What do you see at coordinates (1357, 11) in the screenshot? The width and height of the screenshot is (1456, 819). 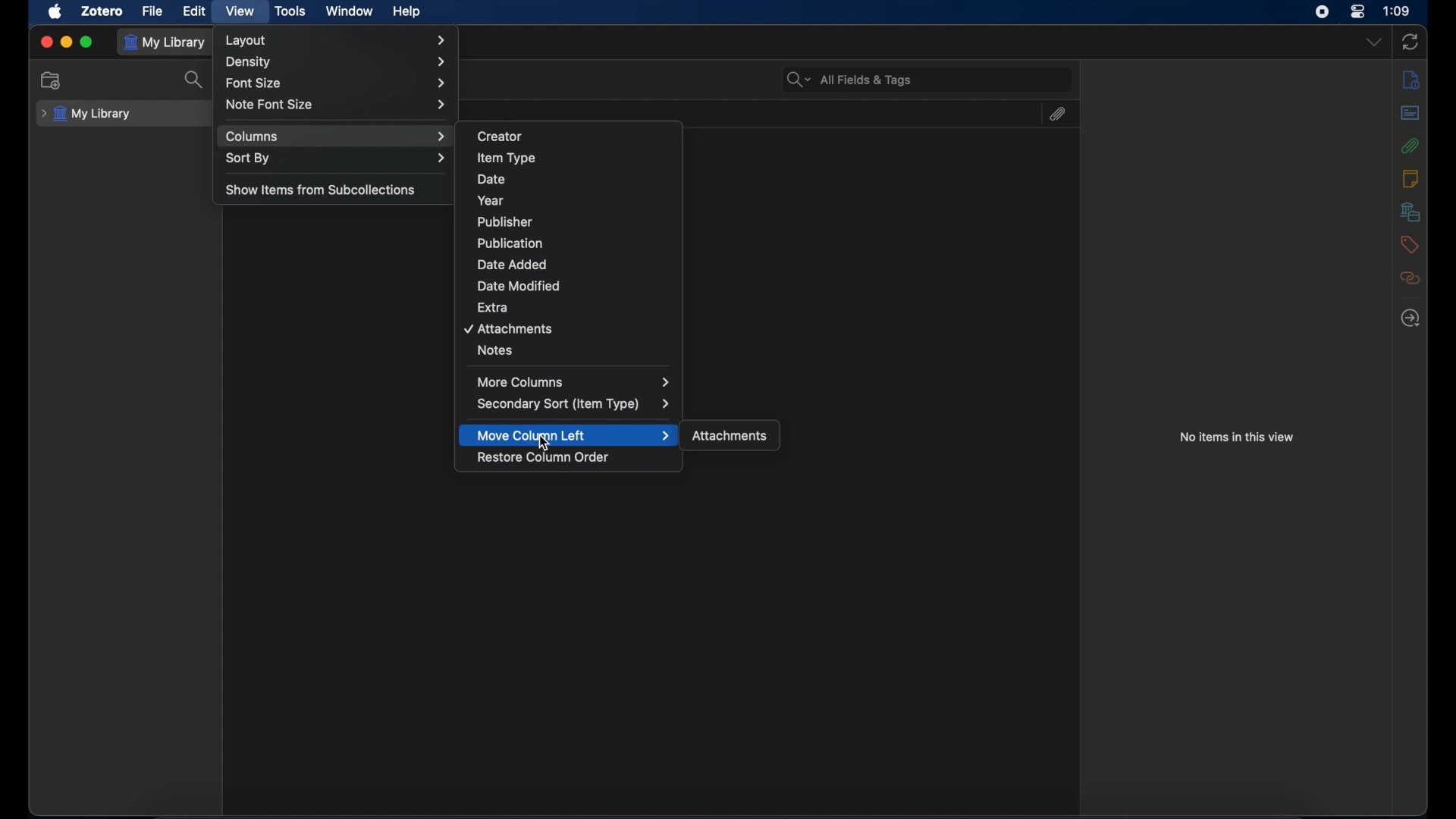 I see `control center` at bounding box center [1357, 11].